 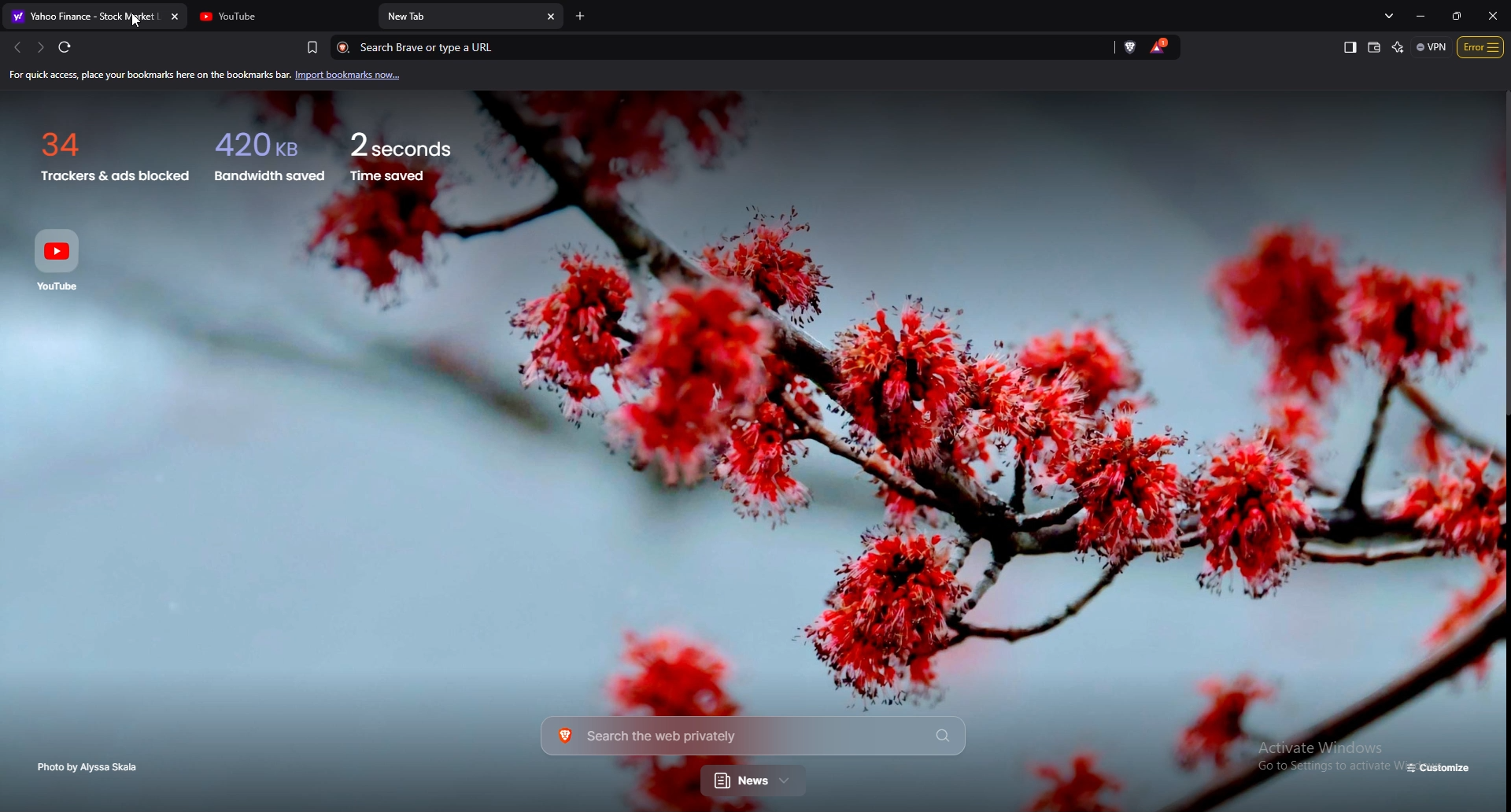 What do you see at coordinates (752, 735) in the screenshot?
I see ` Search the web privately` at bounding box center [752, 735].